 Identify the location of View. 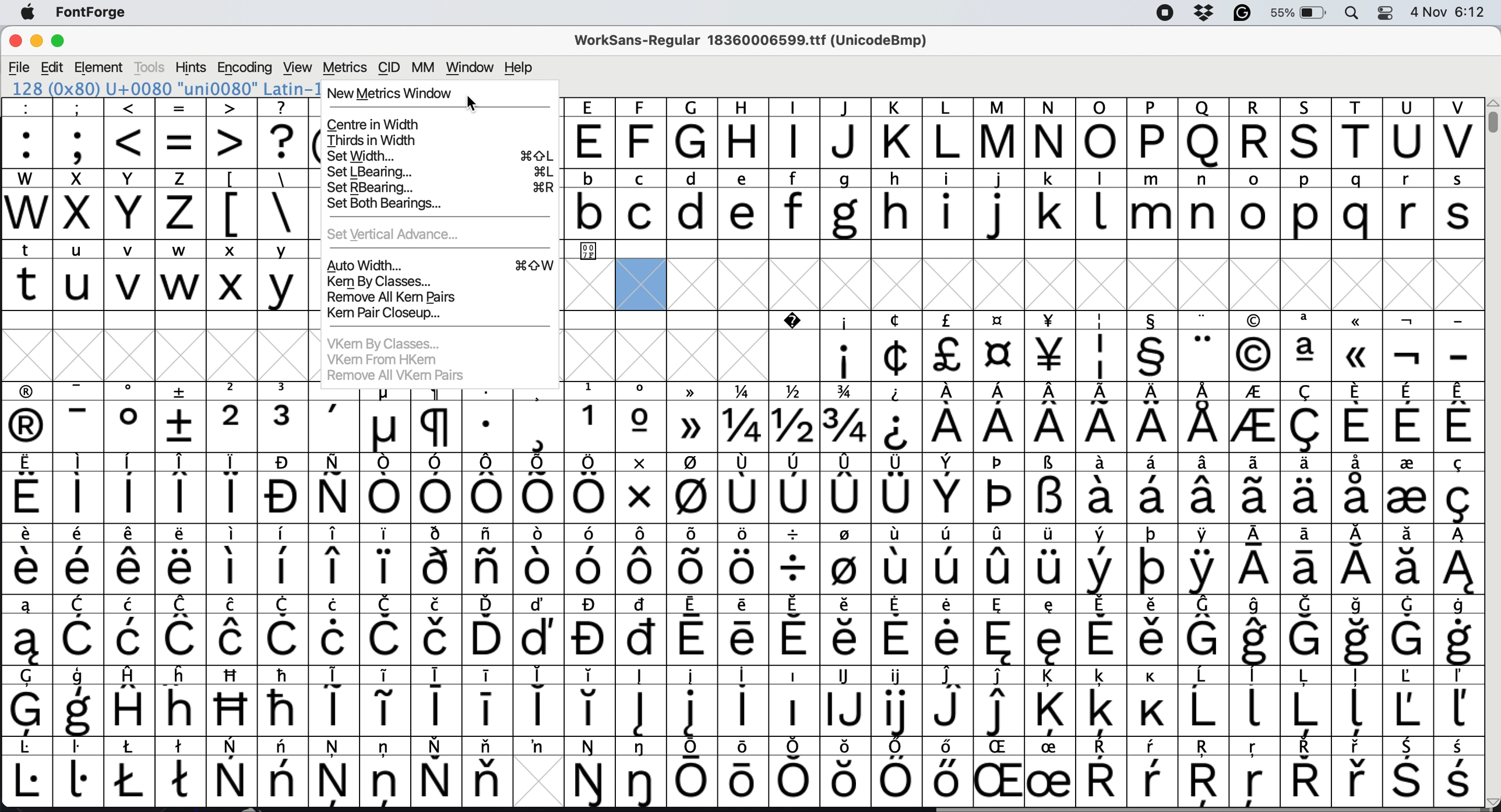
(297, 67).